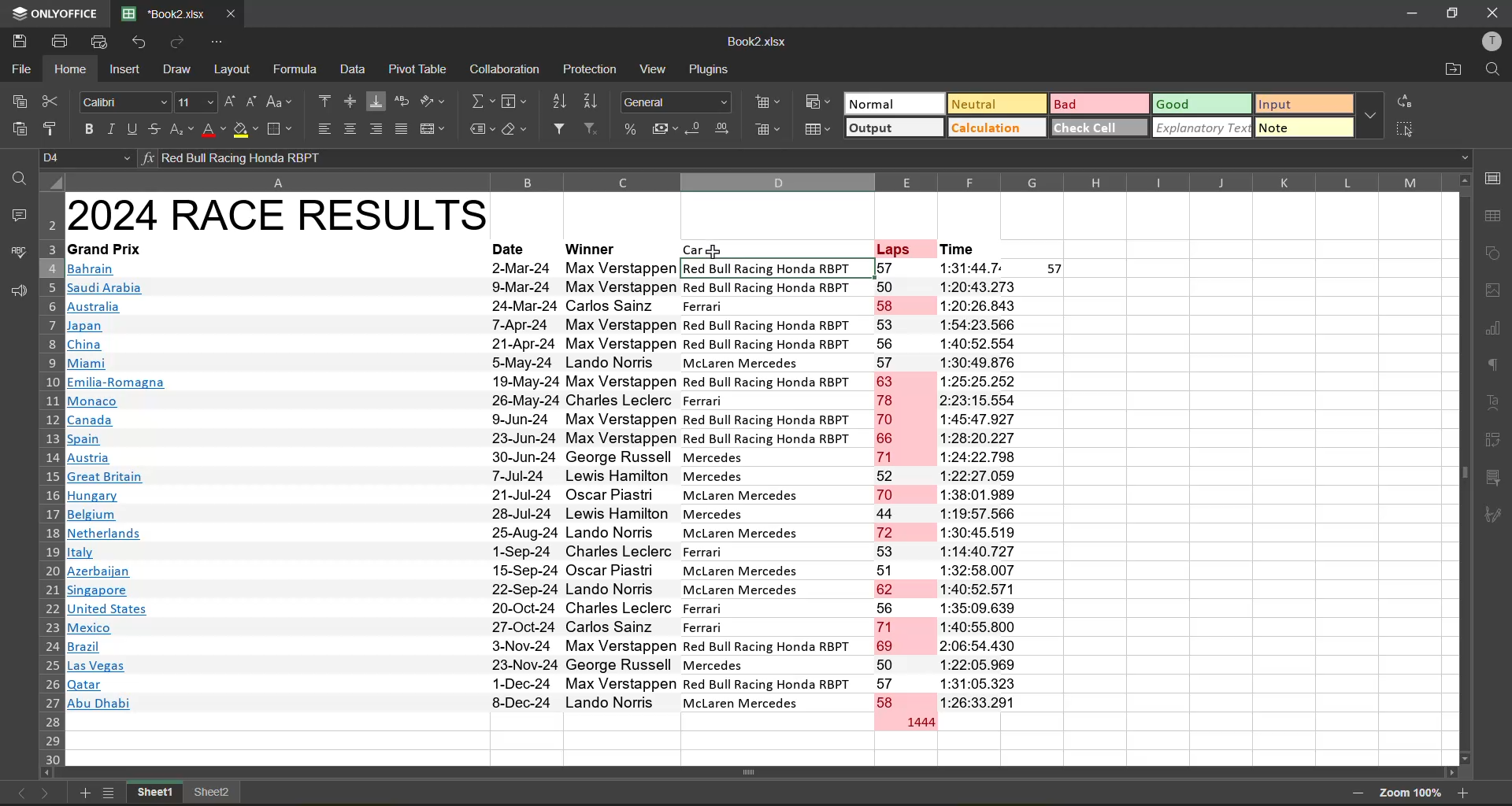  What do you see at coordinates (102, 40) in the screenshot?
I see `quick print` at bounding box center [102, 40].